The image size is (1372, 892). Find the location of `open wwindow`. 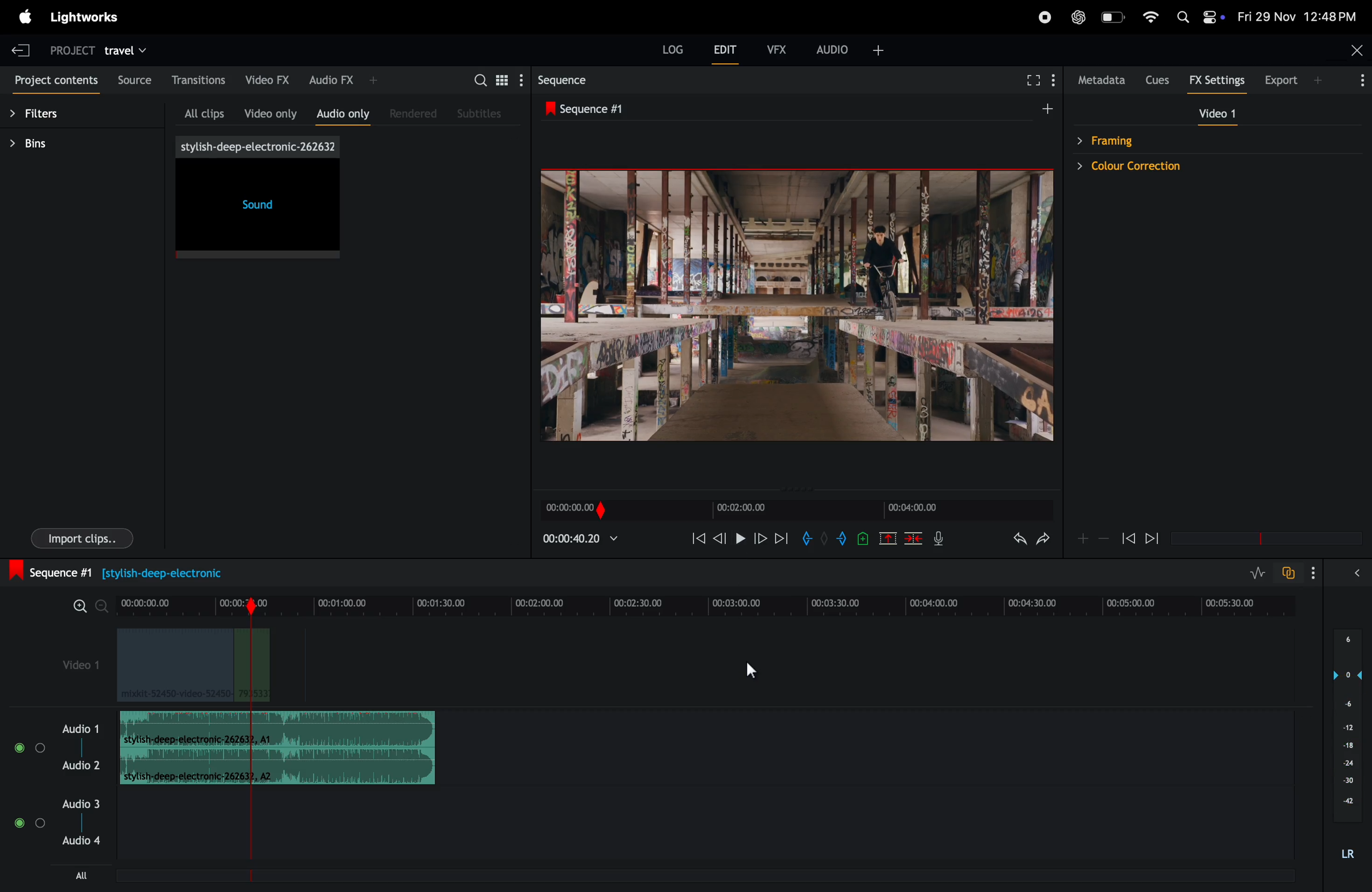

open wwindow is located at coordinates (1362, 573).